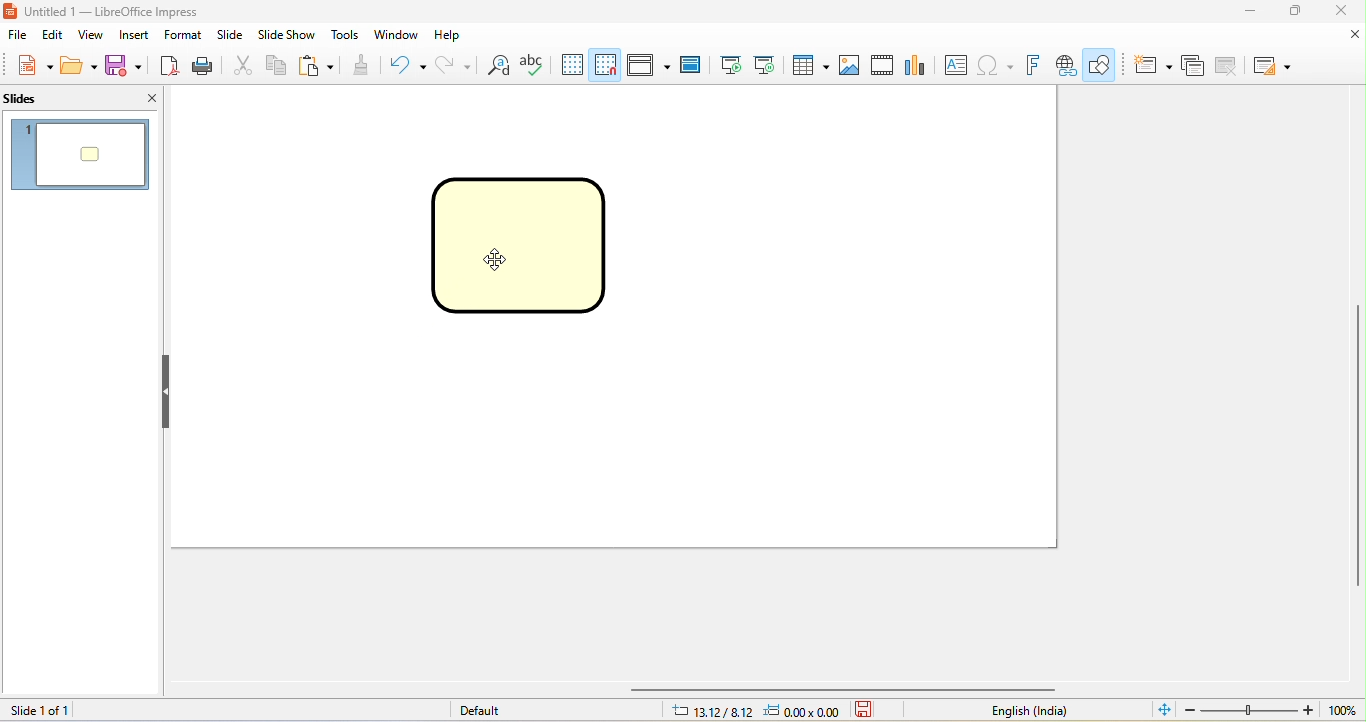 The height and width of the screenshot is (722, 1366). Describe the element at coordinates (27, 64) in the screenshot. I see `new` at that location.